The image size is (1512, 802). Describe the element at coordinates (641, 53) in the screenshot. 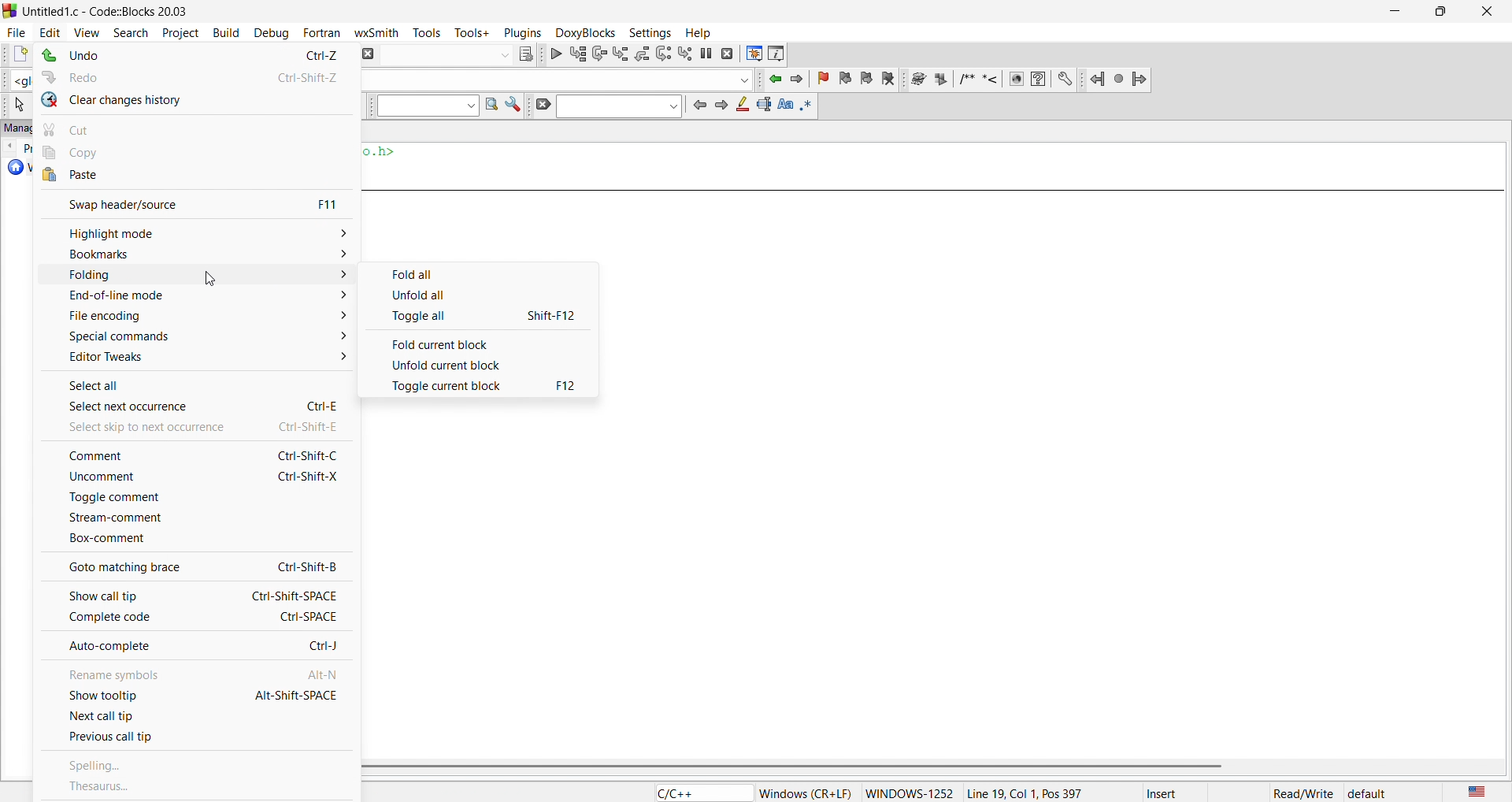

I see `step out` at that location.